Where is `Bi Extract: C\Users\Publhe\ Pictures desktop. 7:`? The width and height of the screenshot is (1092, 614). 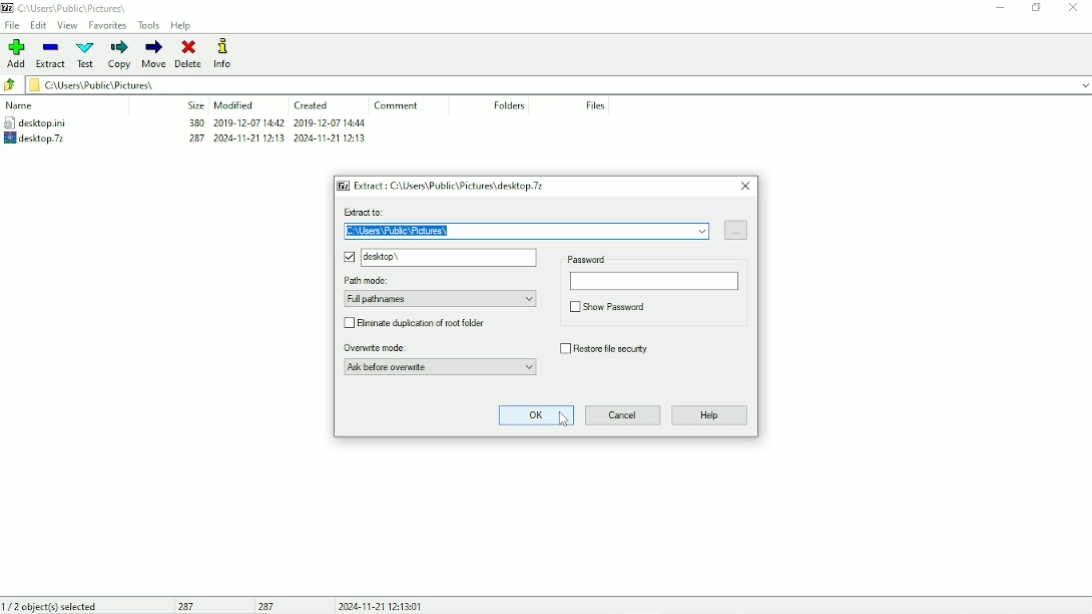
Bi Extract: C\Users\Publhe\ Pictures desktop. 7: is located at coordinates (454, 186).